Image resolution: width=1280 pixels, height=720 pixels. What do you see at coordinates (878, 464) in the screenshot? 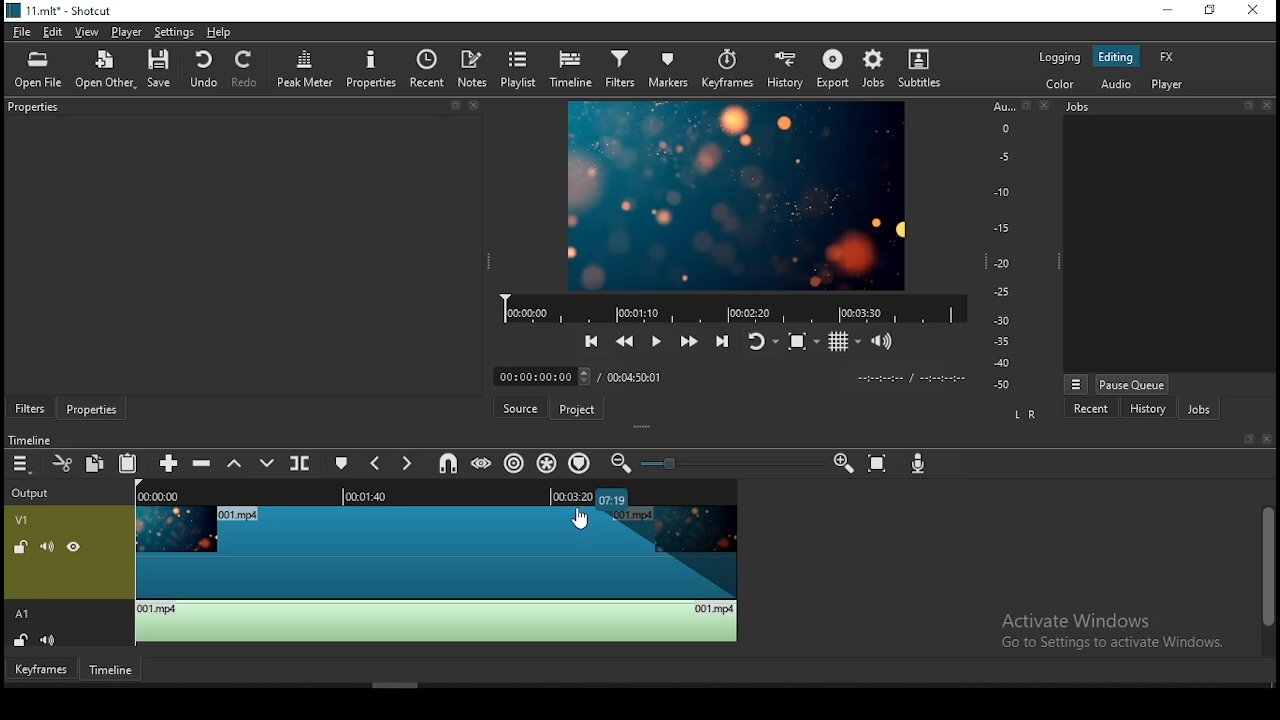
I see `zoom timeline to fit` at bounding box center [878, 464].